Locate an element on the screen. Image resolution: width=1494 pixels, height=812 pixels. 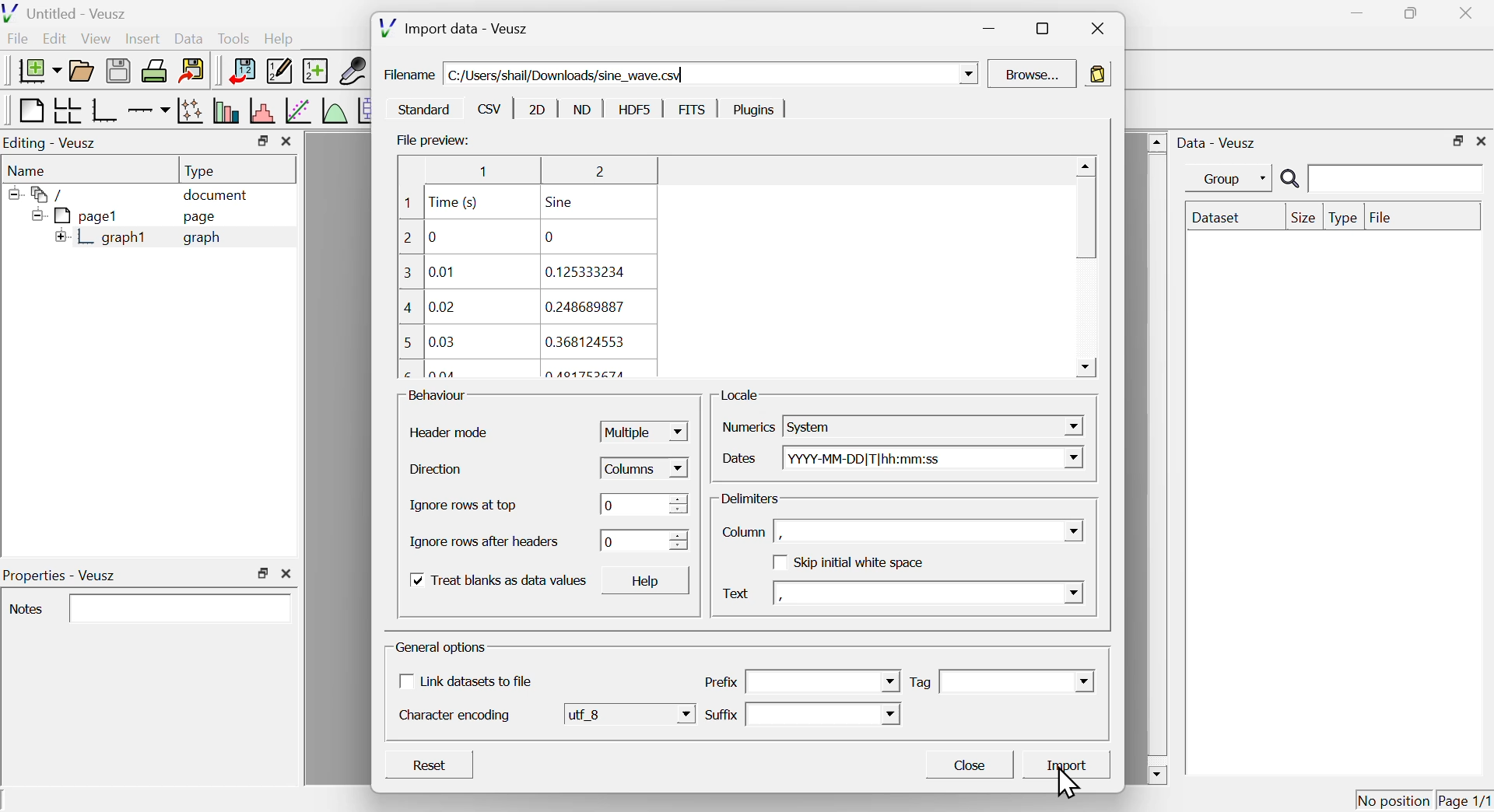
1 is located at coordinates (477, 171).